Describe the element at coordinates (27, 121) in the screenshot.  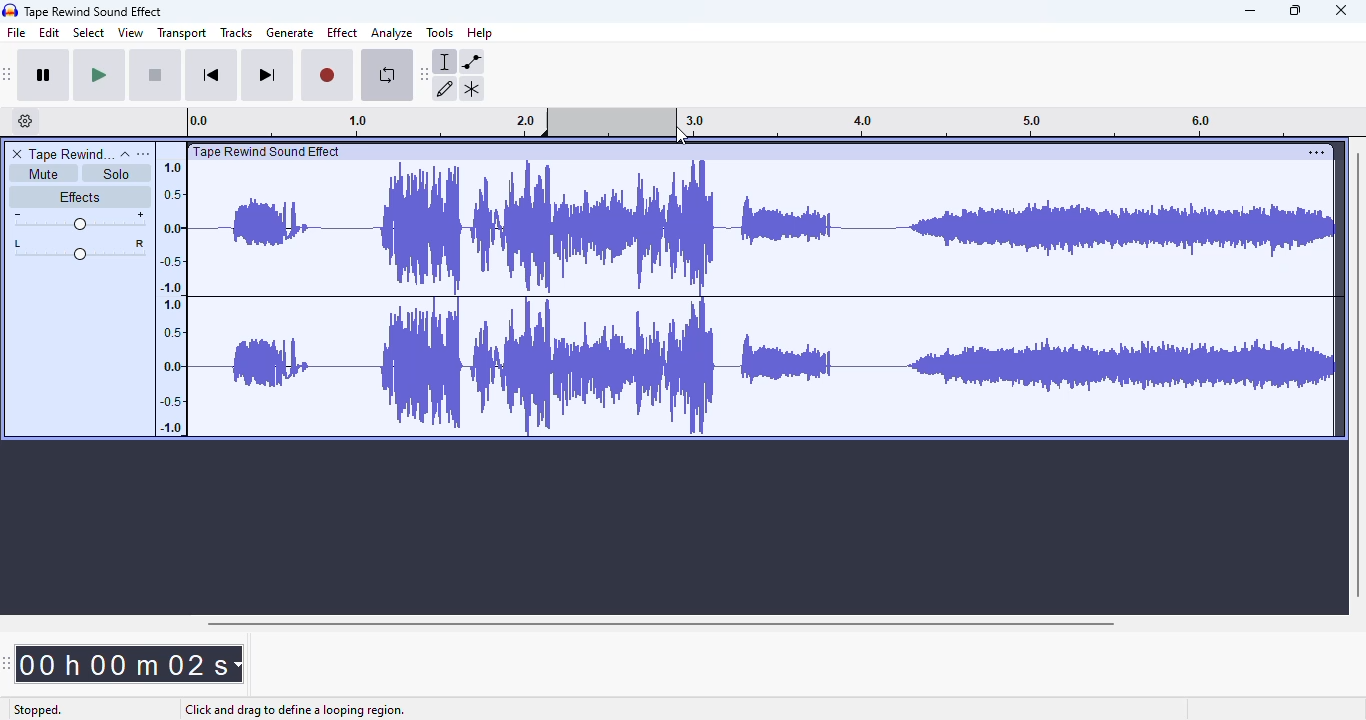
I see `timeline options` at that location.